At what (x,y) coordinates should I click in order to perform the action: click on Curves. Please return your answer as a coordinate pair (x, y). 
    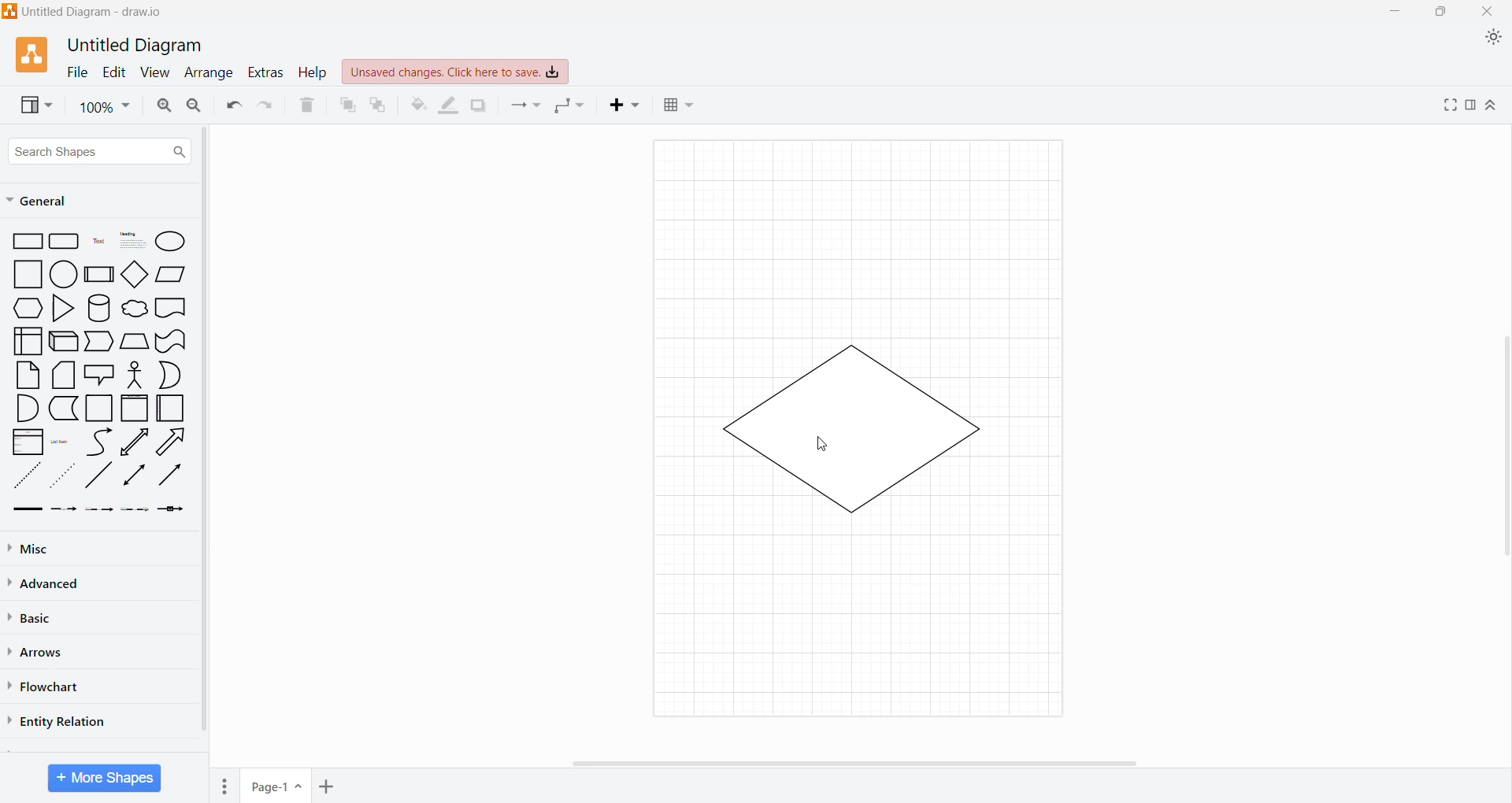
    Looking at the image, I should click on (99, 442).